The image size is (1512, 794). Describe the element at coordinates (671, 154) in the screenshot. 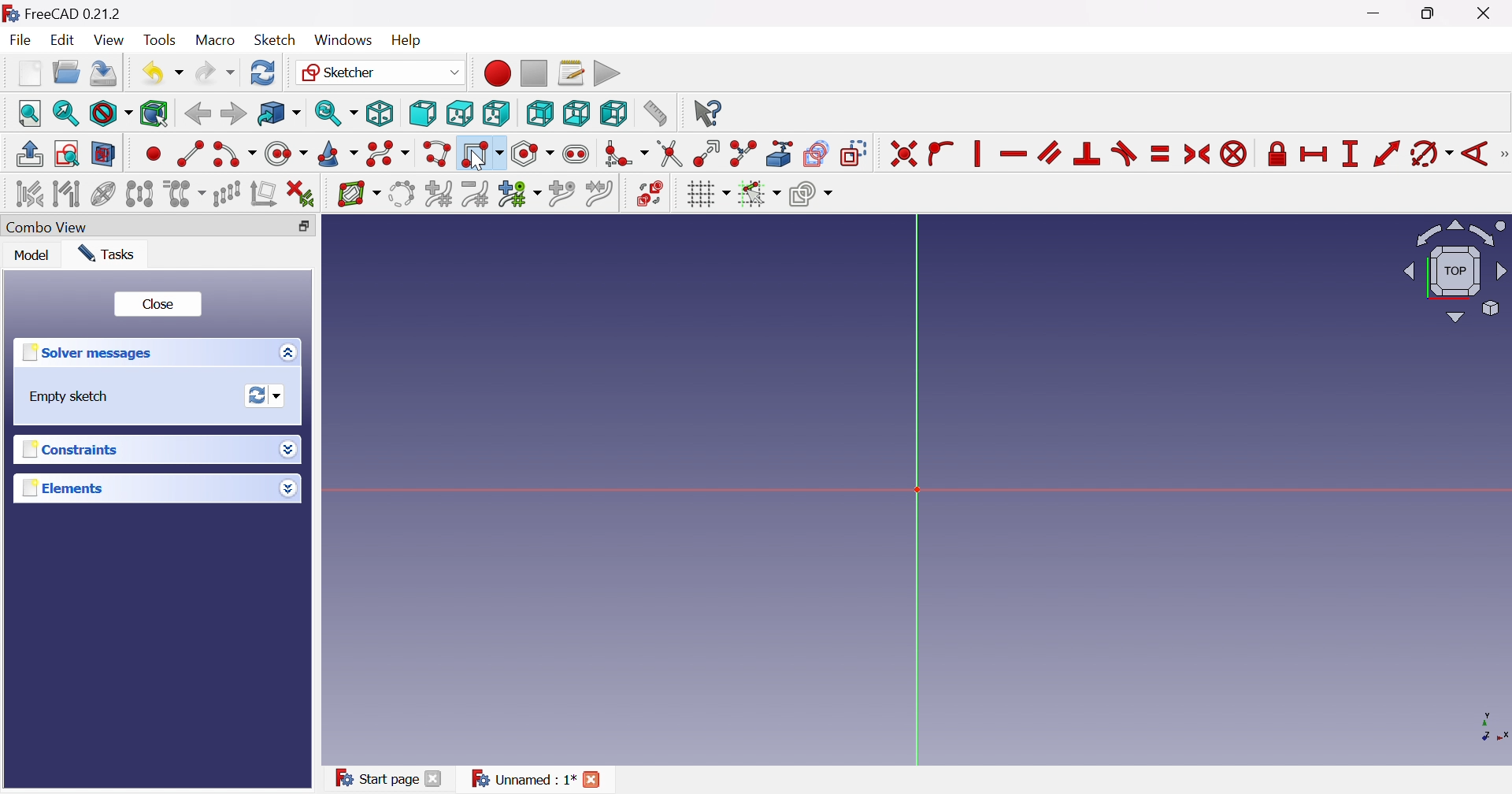

I see `Trim edge` at that location.